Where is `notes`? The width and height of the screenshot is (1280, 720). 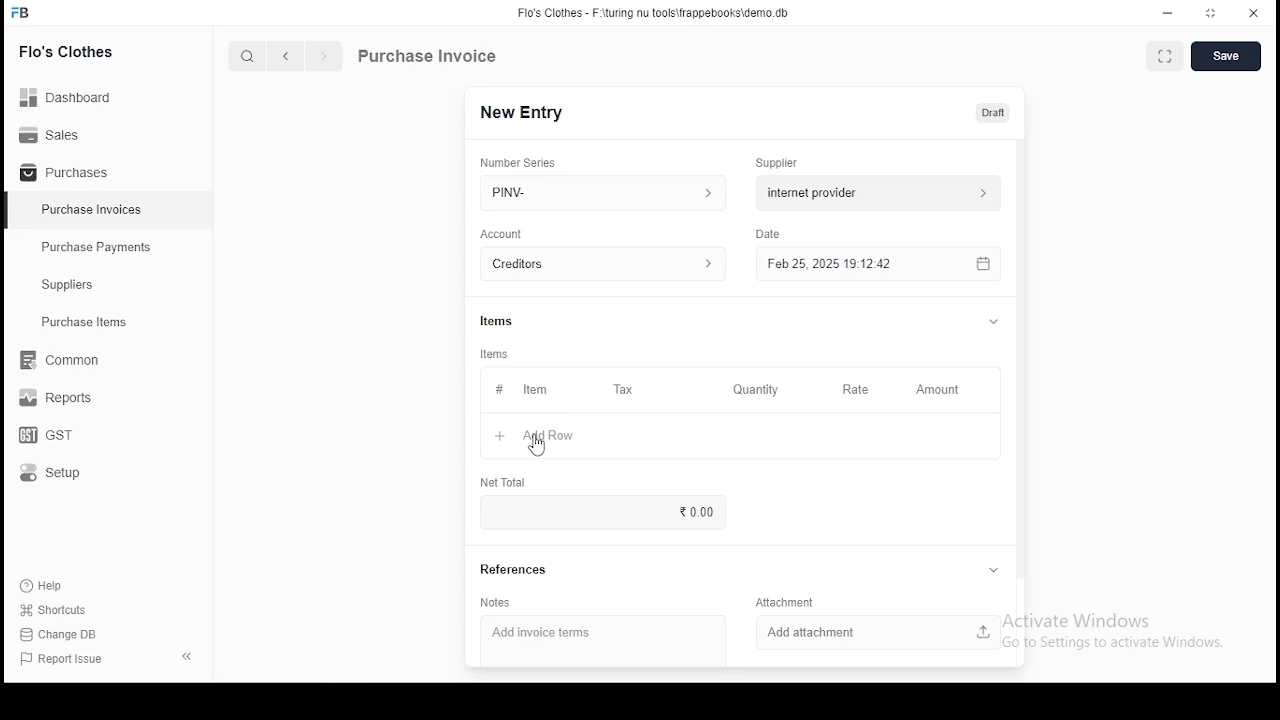 notes is located at coordinates (496, 603).